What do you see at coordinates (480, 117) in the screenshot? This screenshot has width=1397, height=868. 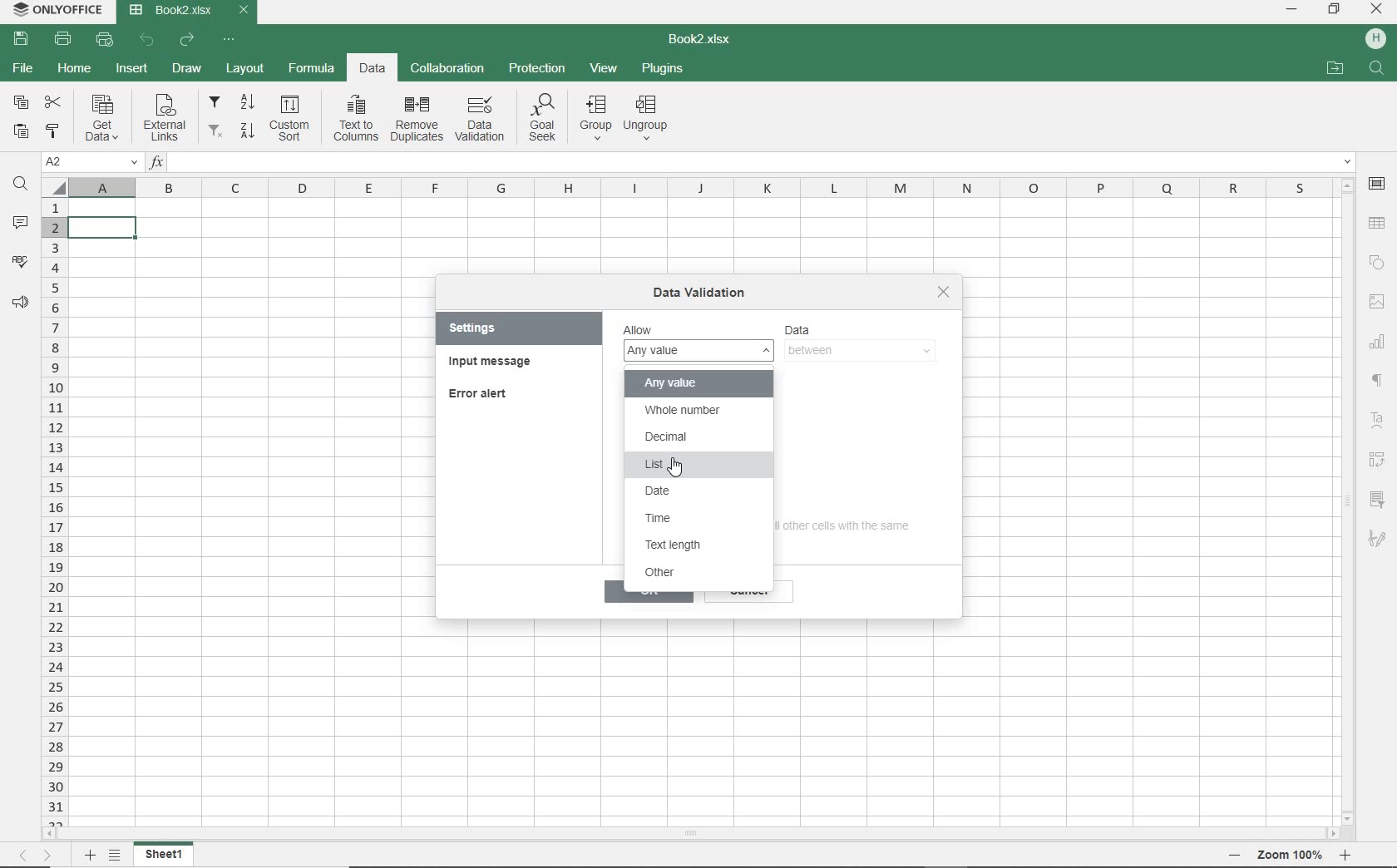 I see `data validation` at bounding box center [480, 117].